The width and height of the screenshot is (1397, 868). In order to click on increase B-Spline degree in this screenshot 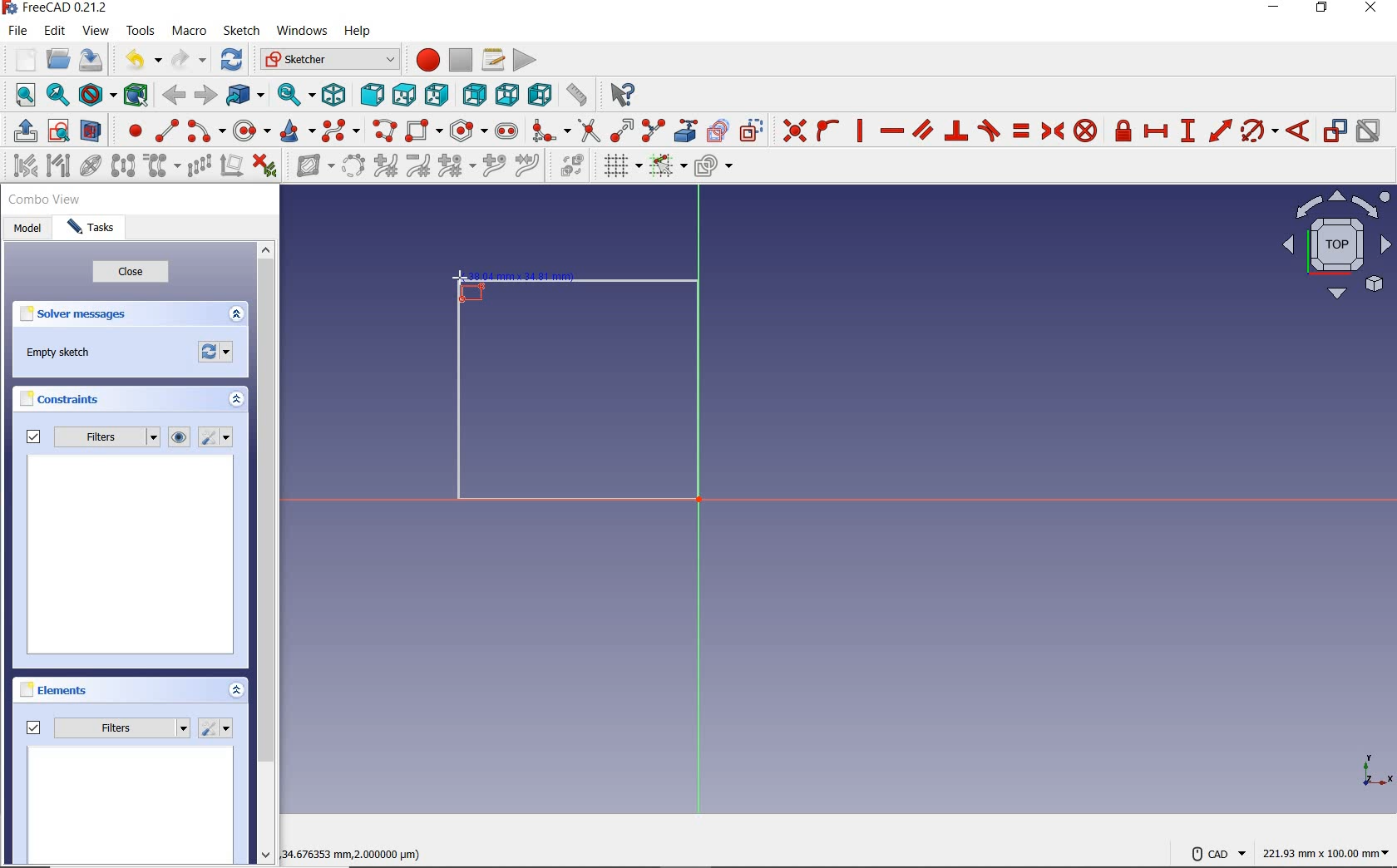, I will do `click(385, 167)`.